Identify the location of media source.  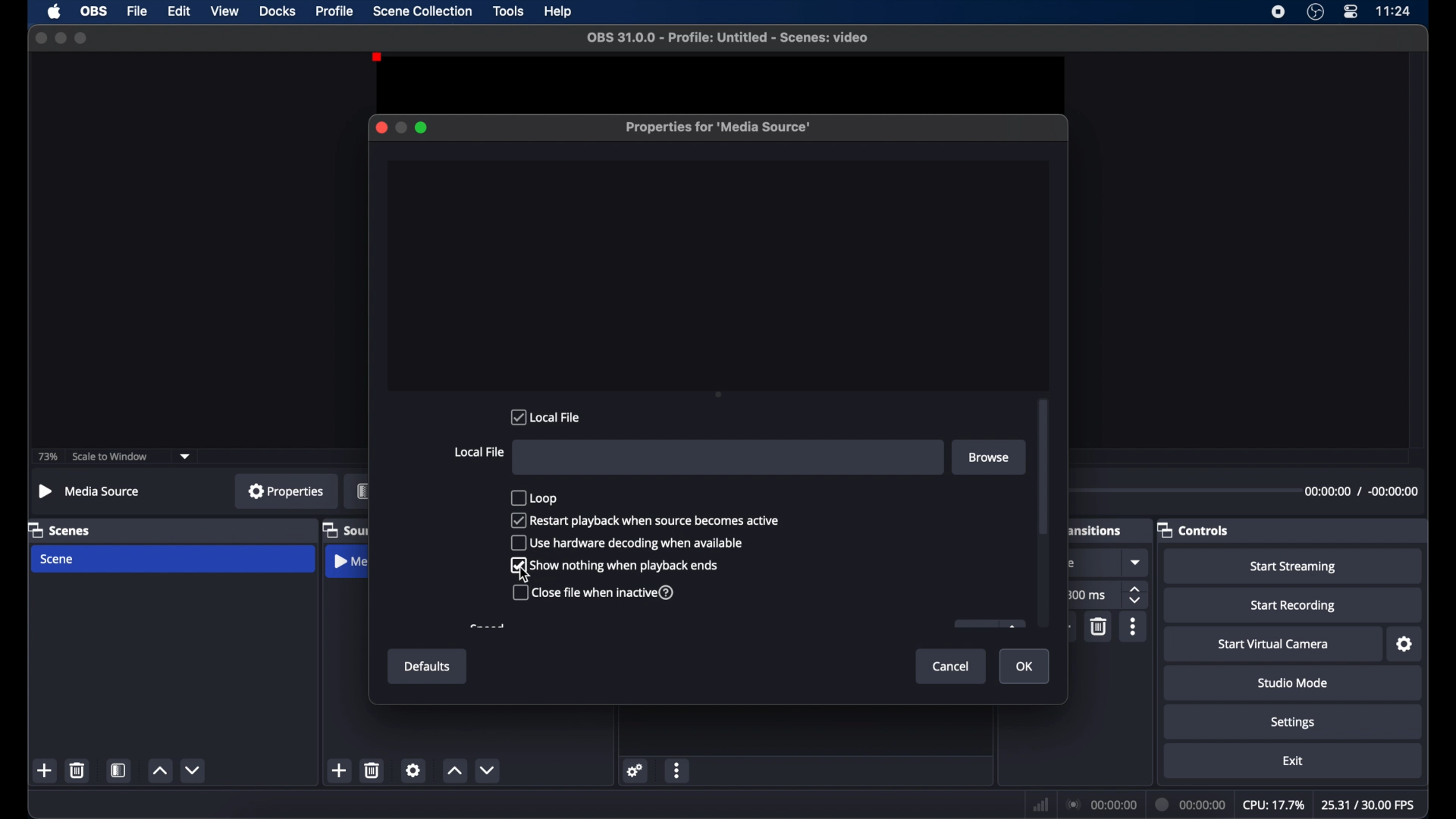
(350, 560).